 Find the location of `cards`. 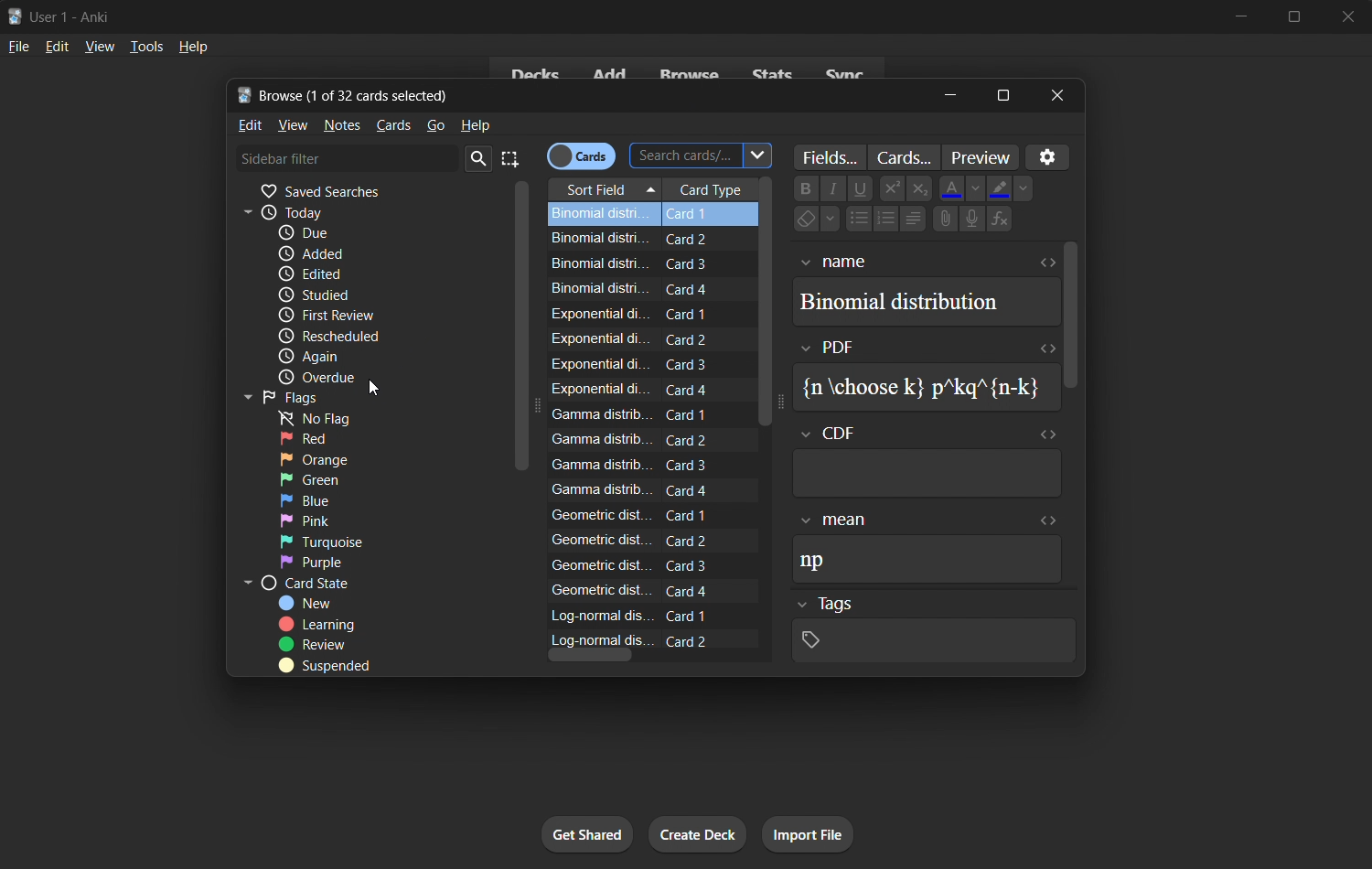

cards is located at coordinates (393, 126).